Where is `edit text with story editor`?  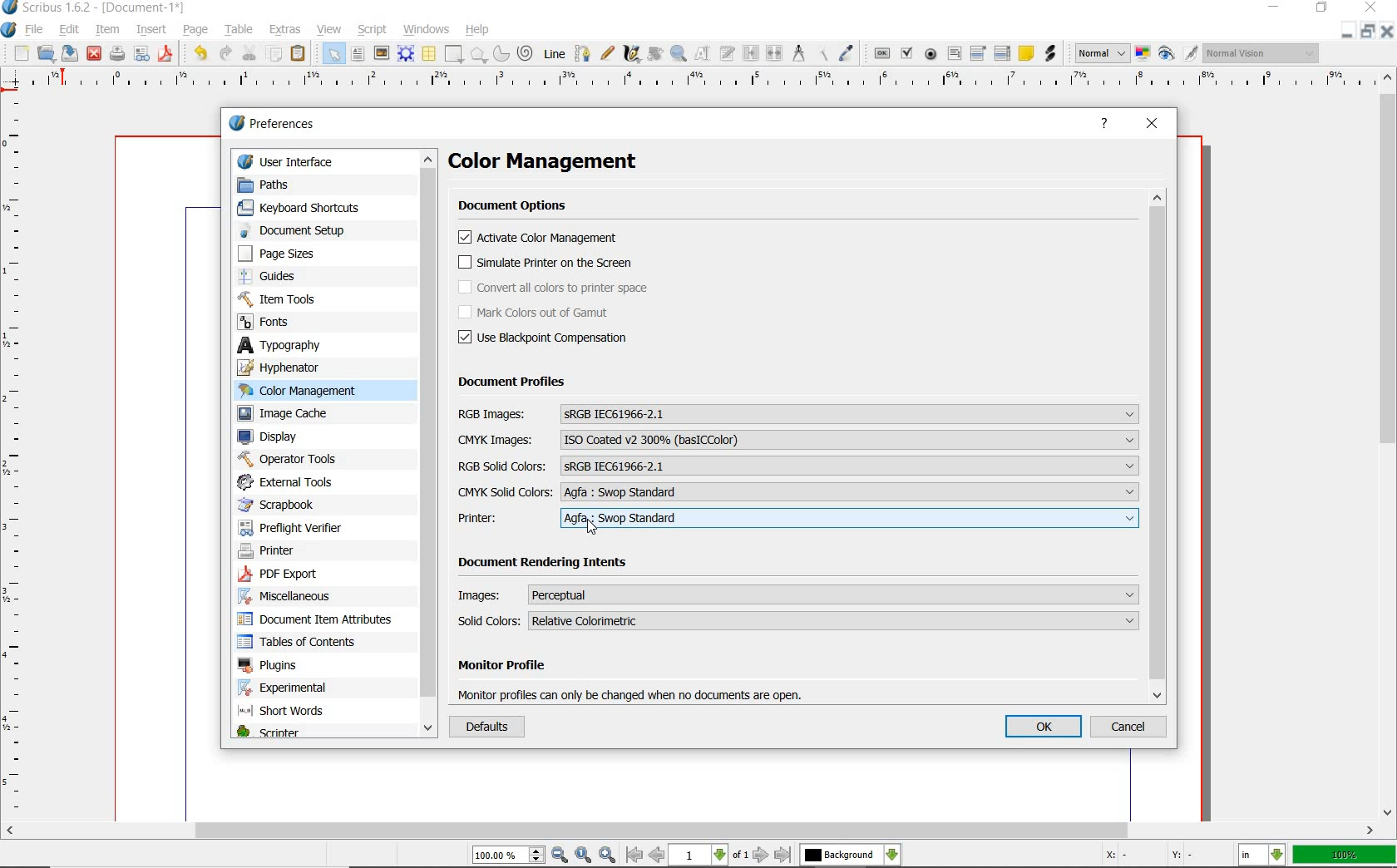 edit text with story editor is located at coordinates (728, 53).